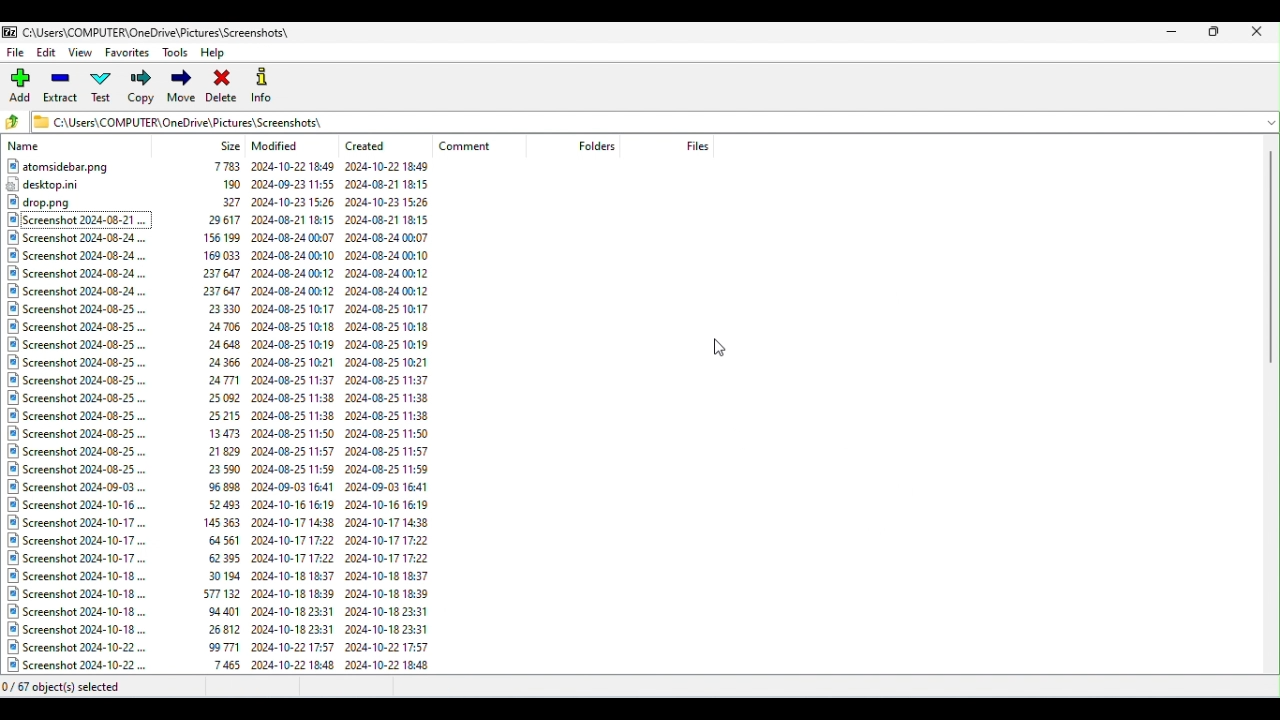 Image resolution: width=1280 pixels, height=720 pixels. Describe the element at coordinates (48, 55) in the screenshot. I see `Edit` at that location.